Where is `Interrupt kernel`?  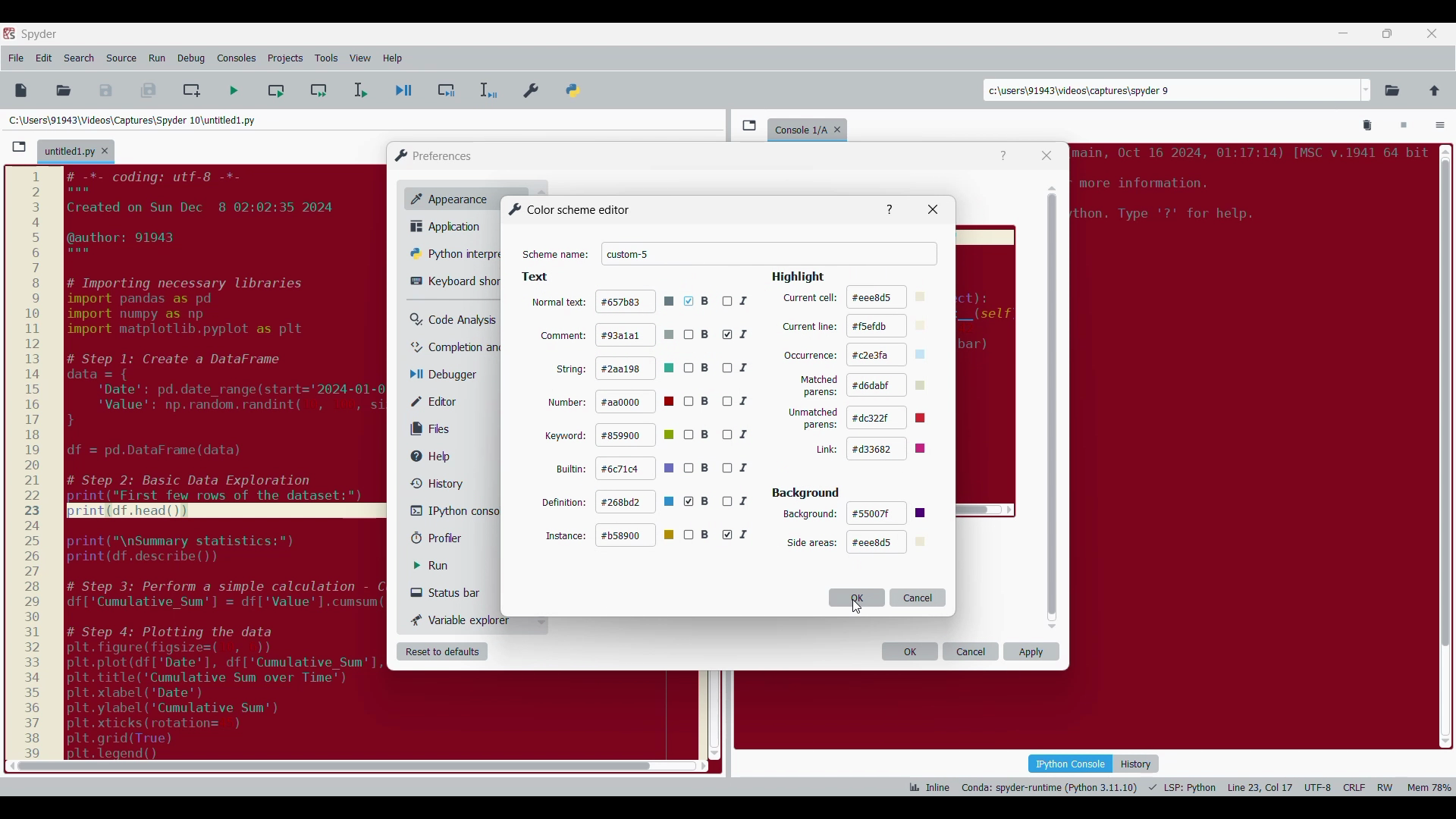 Interrupt kernel is located at coordinates (1404, 126).